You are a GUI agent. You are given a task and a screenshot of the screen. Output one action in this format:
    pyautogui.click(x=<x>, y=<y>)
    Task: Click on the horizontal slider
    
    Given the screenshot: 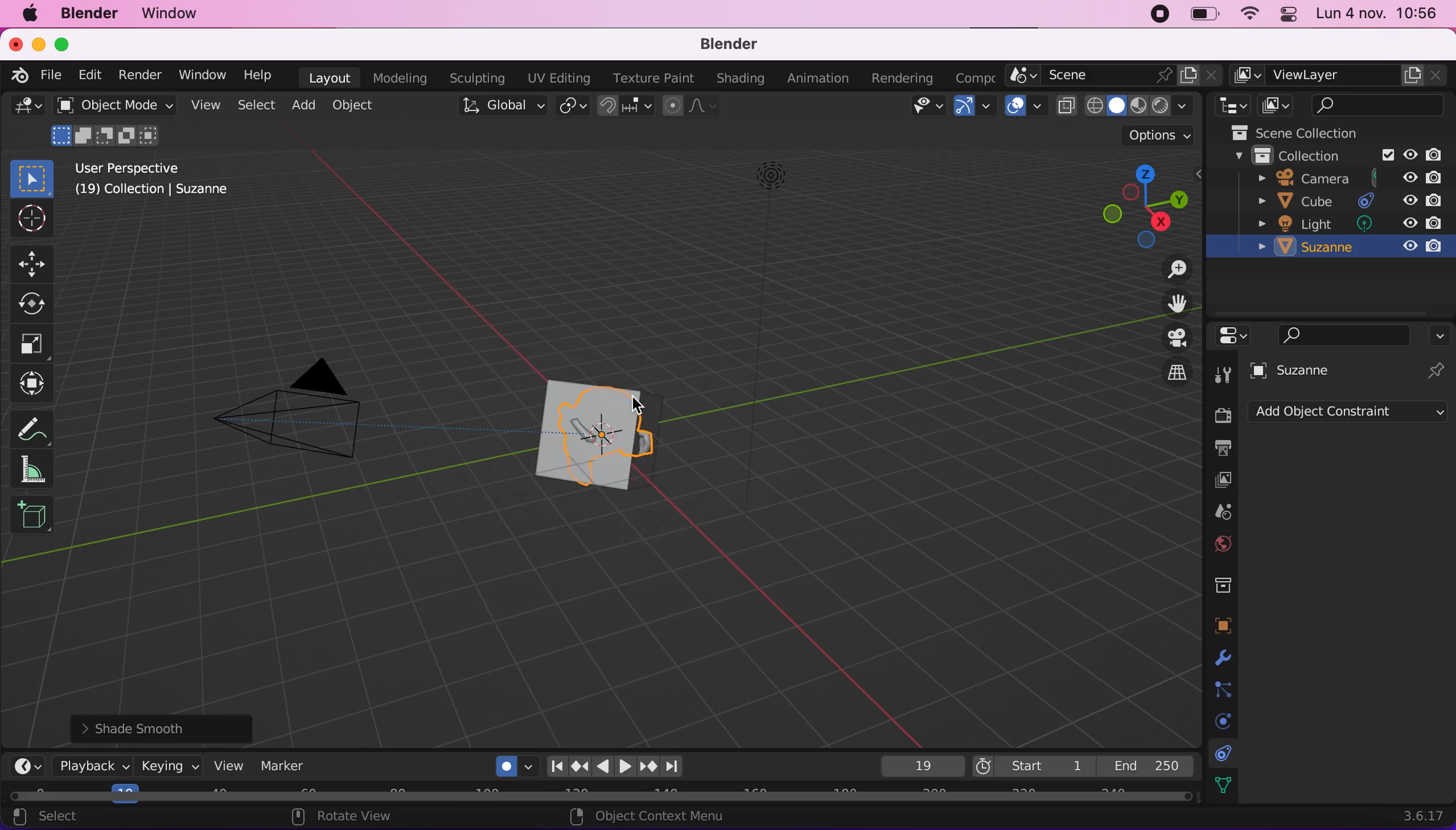 What is the action you would take?
    pyautogui.click(x=598, y=792)
    